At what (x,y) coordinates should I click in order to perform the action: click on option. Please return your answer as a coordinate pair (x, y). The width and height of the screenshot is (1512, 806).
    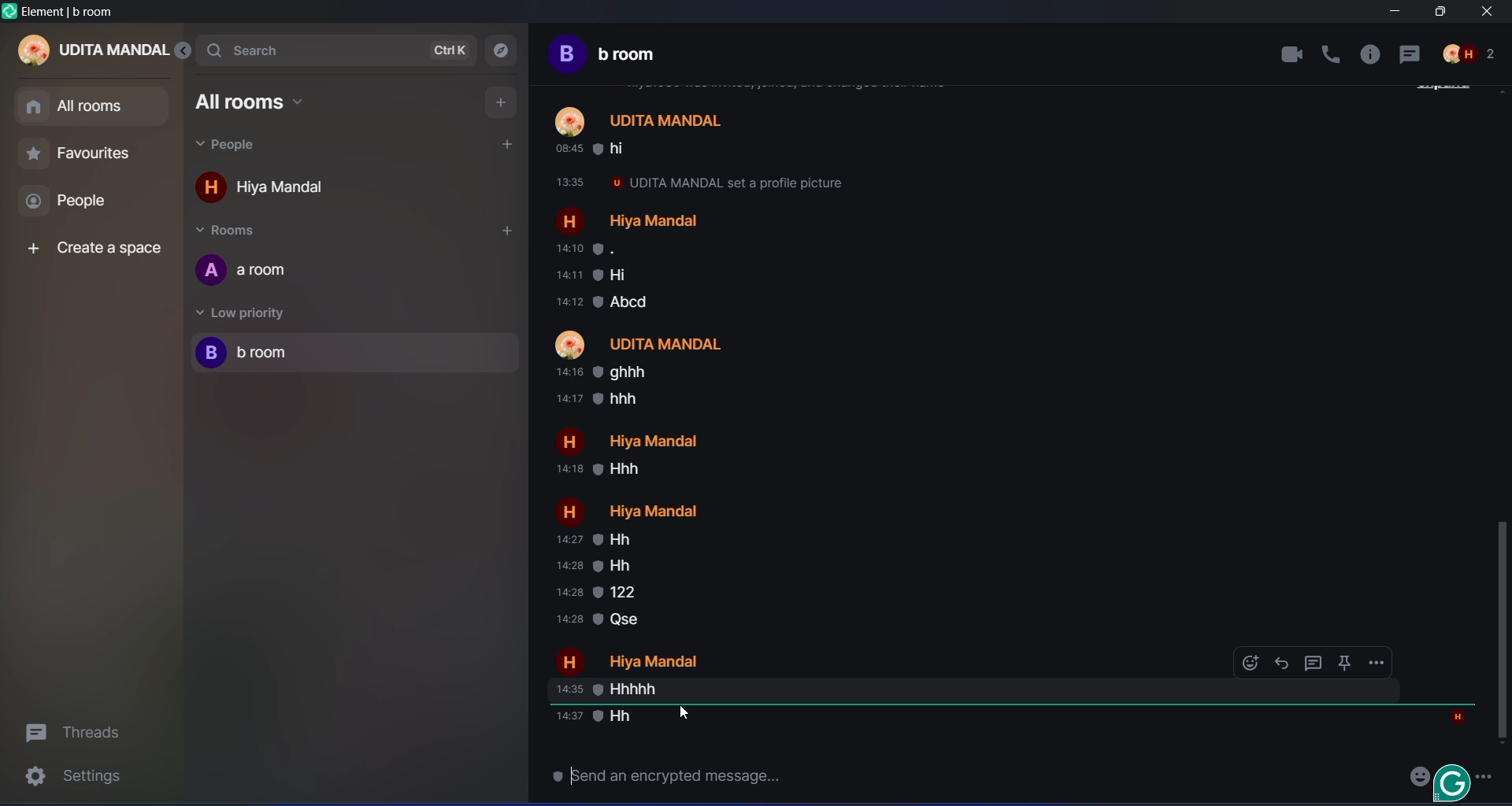
    Looking at the image, I should click on (1382, 668).